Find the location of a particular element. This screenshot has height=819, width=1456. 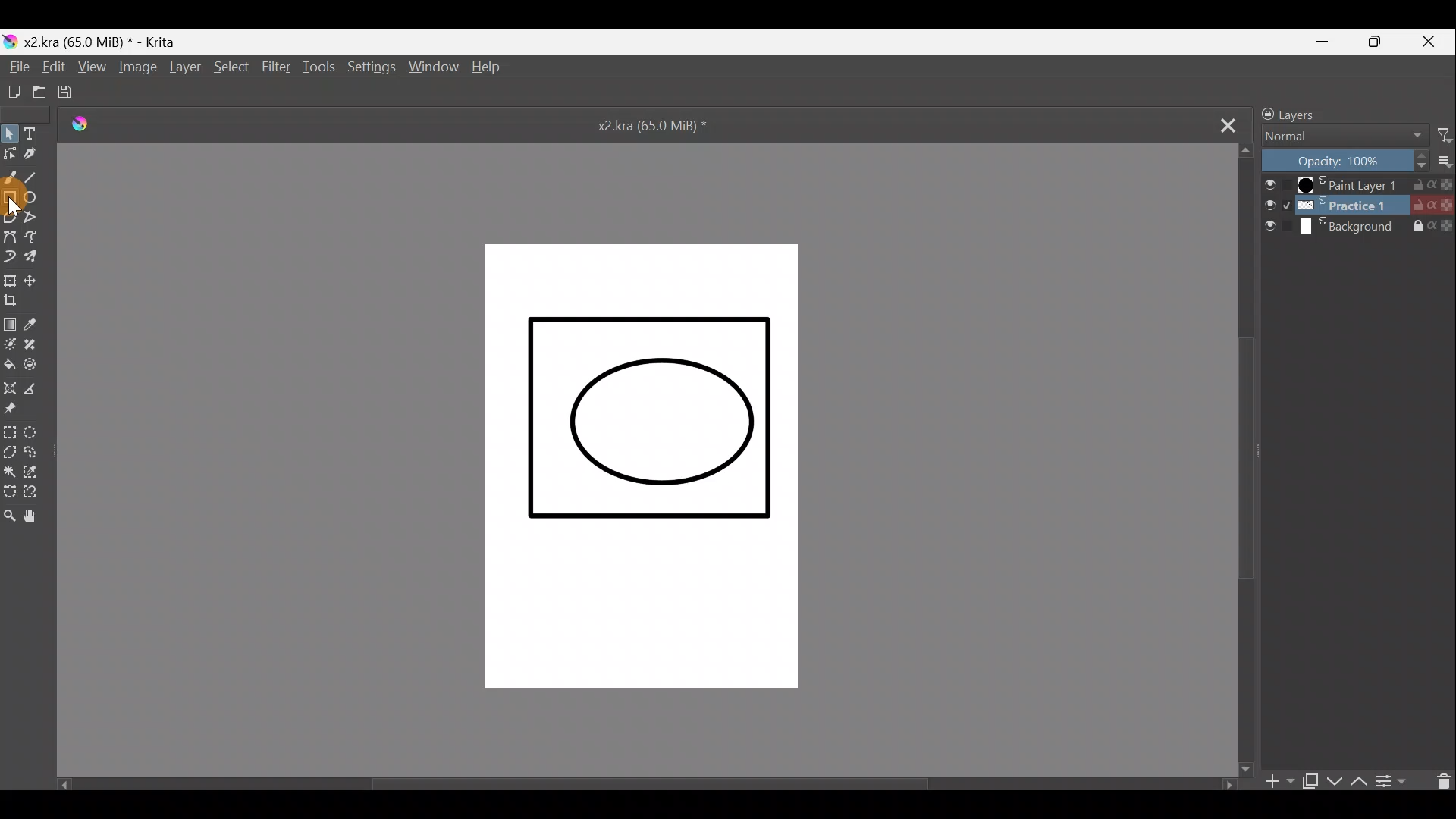

Scroll bar is located at coordinates (654, 783).